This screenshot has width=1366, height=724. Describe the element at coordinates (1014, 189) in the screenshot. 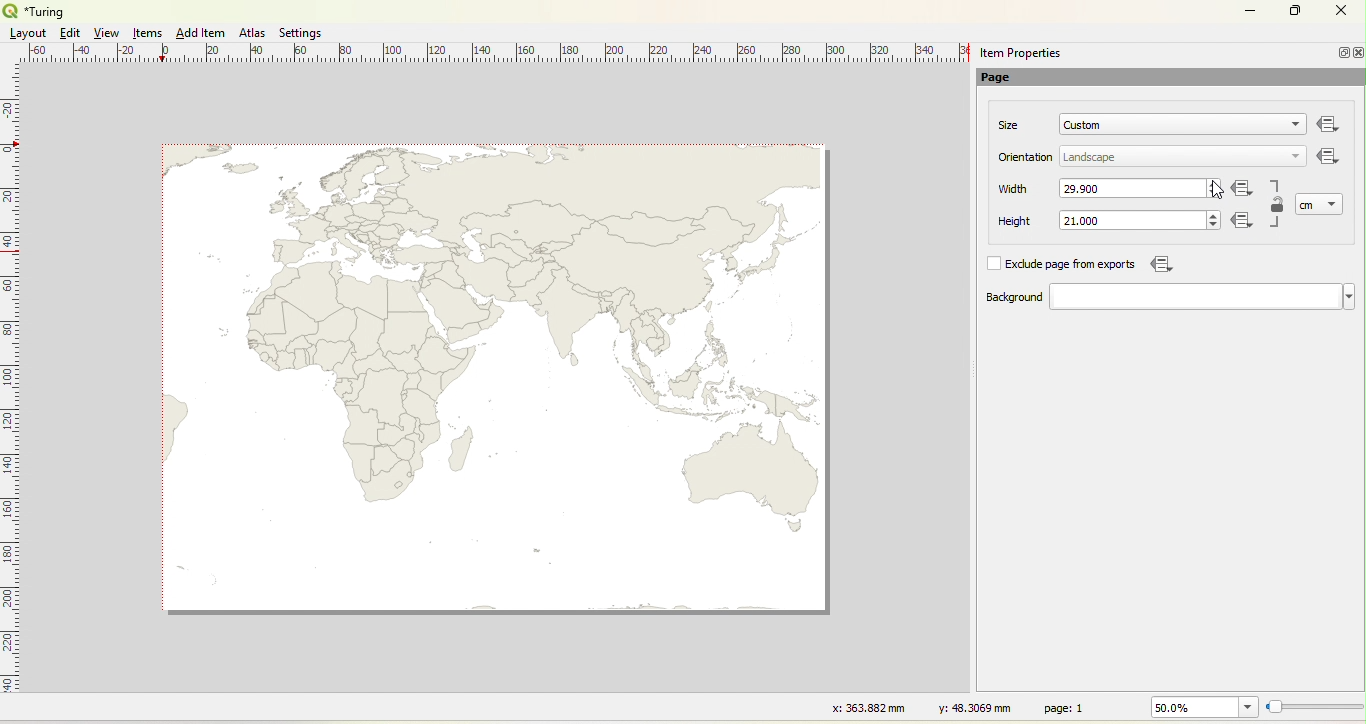

I see `Width` at that location.